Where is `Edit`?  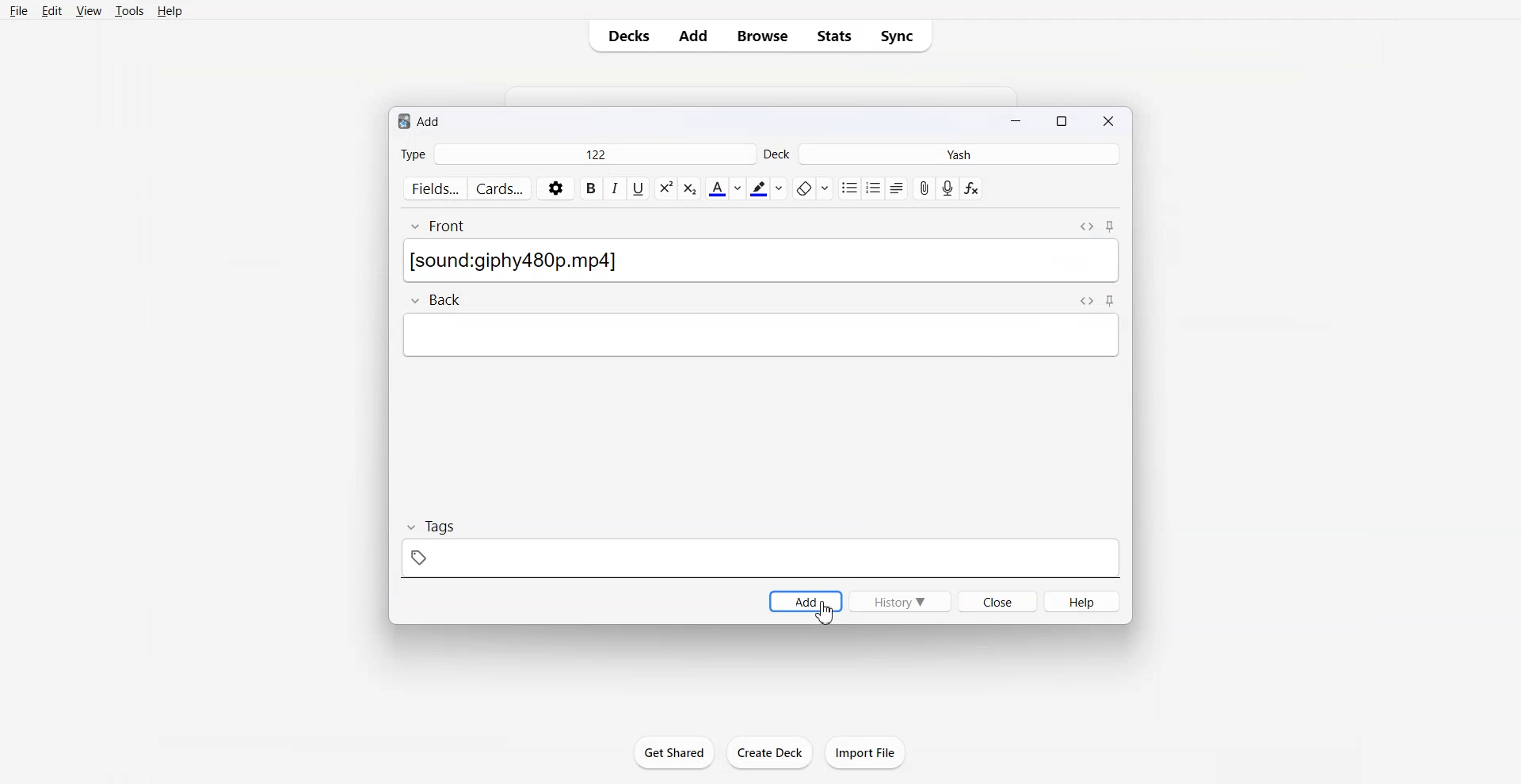
Edit is located at coordinates (52, 11).